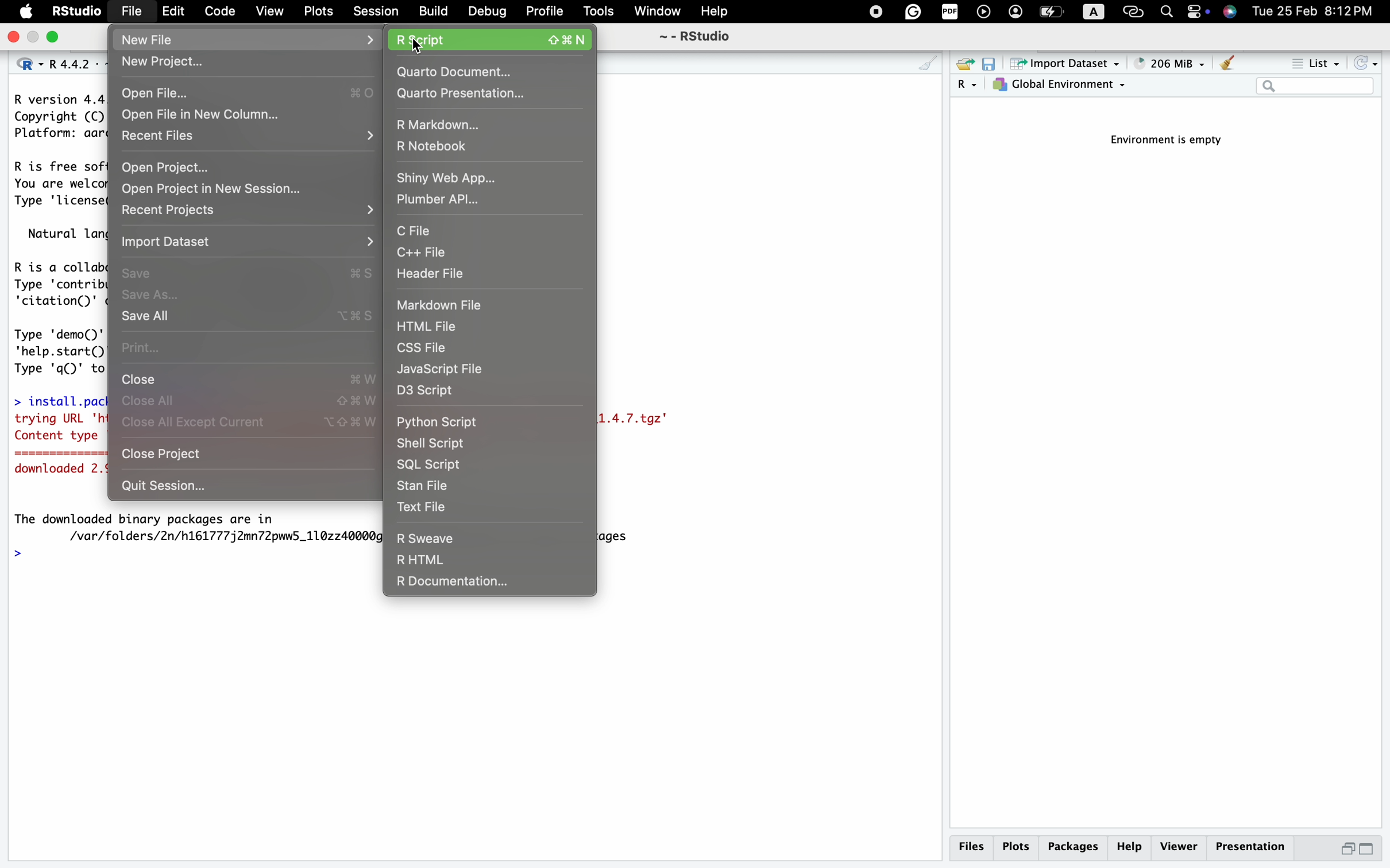 Image resolution: width=1390 pixels, height=868 pixels. I want to click on R script, so click(495, 38).